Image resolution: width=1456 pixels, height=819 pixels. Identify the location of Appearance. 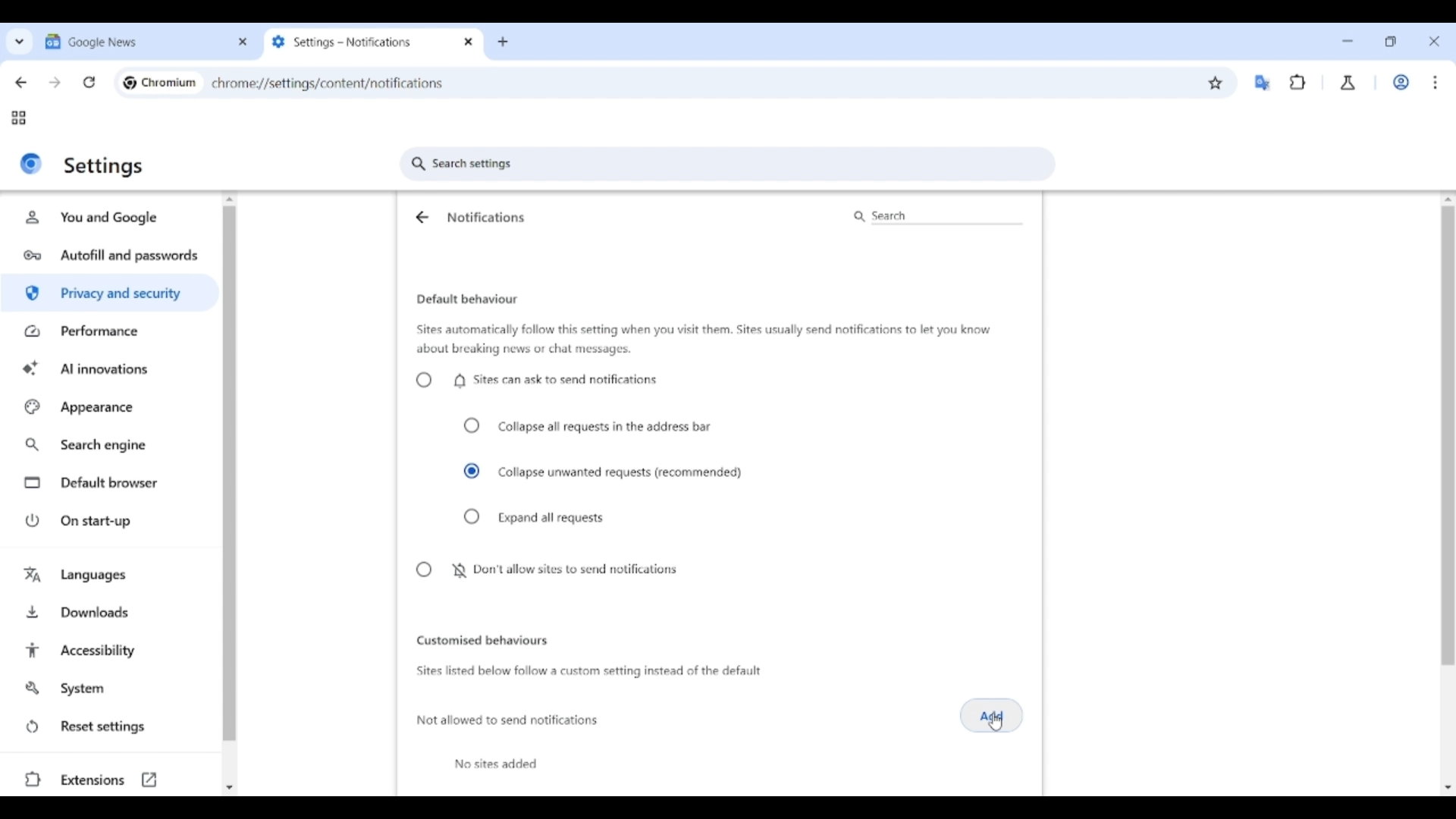
(110, 407).